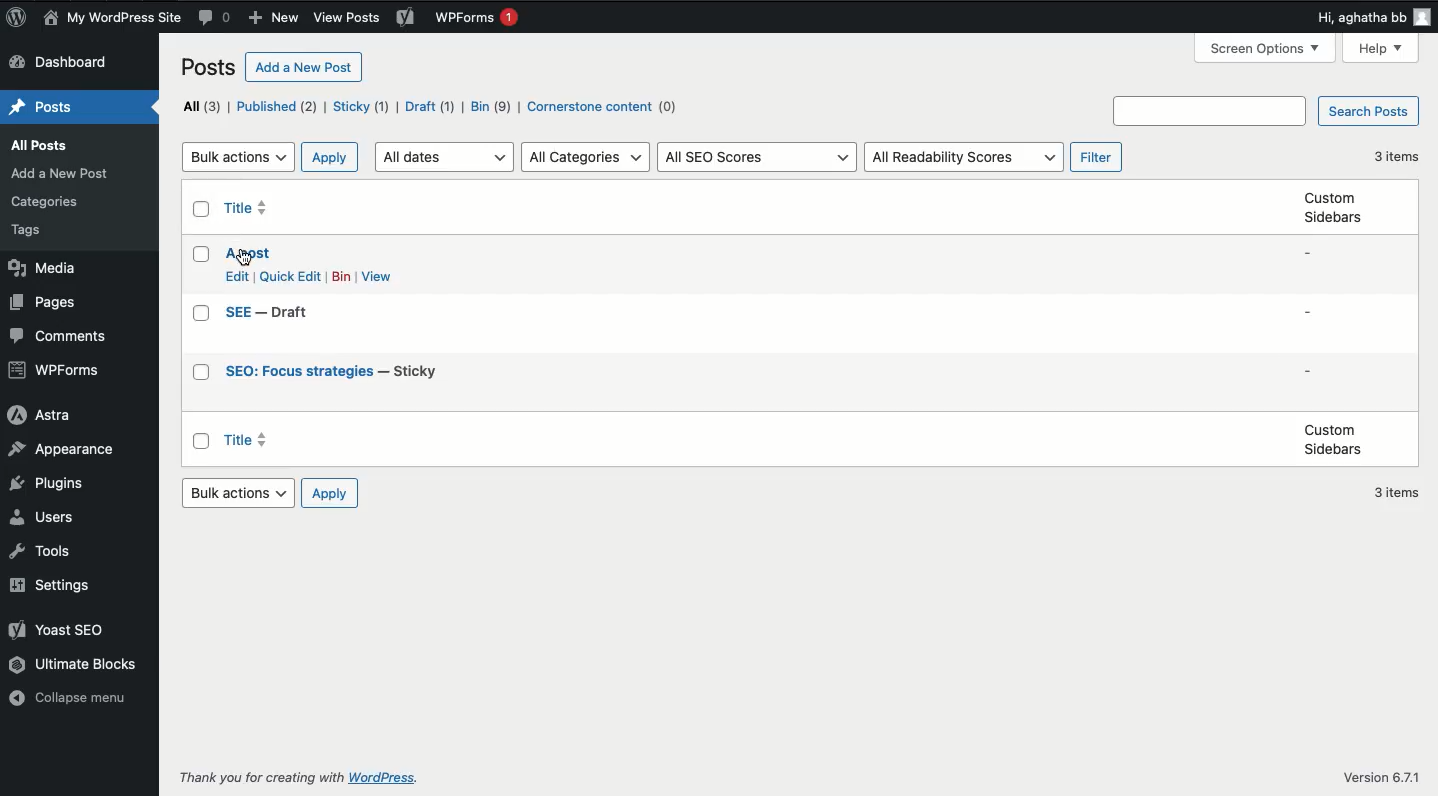 The height and width of the screenshot is (796, 1438). I want to click on Title, so click(250, 208).